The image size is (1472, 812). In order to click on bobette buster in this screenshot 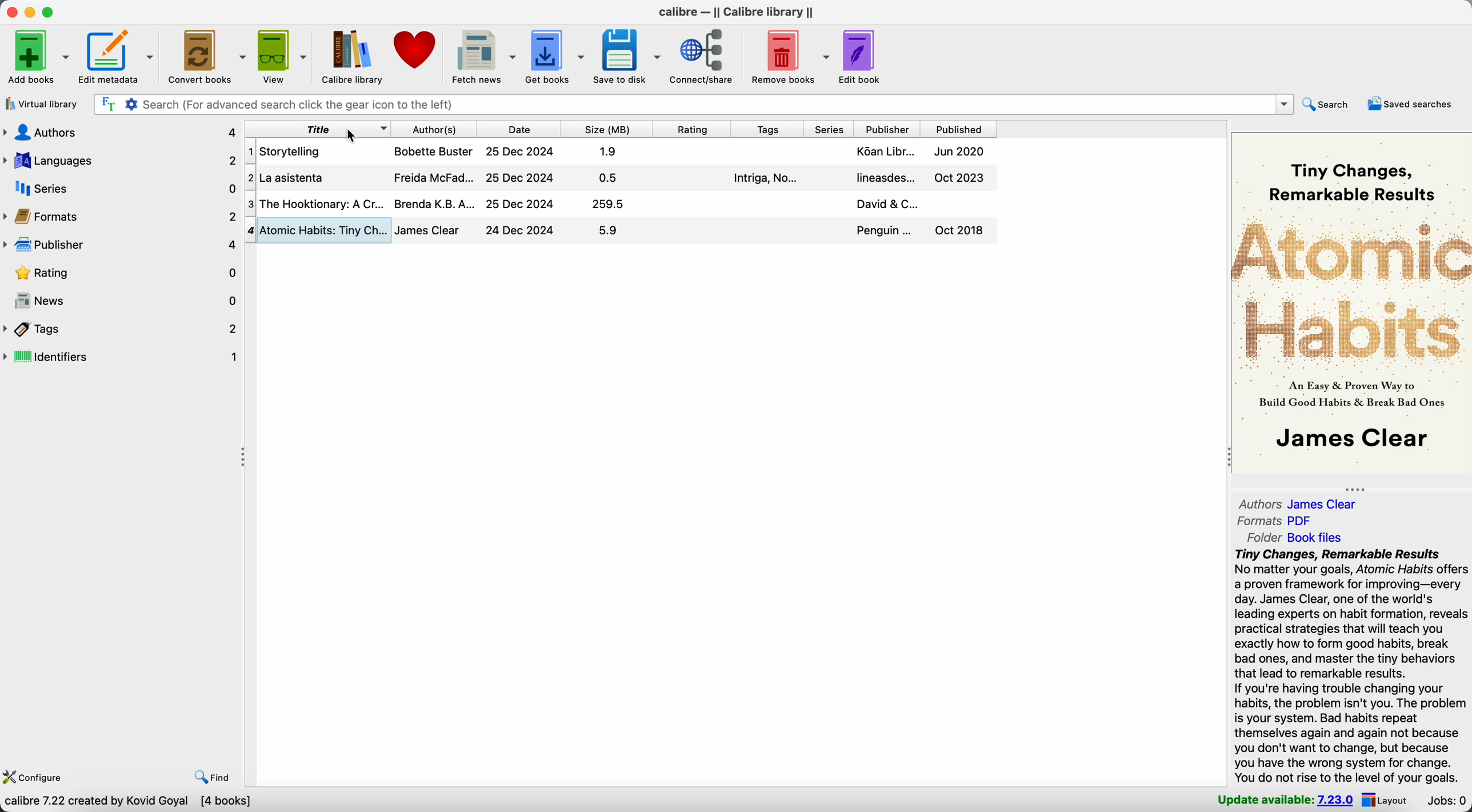, I will do `click(434, 151)`.